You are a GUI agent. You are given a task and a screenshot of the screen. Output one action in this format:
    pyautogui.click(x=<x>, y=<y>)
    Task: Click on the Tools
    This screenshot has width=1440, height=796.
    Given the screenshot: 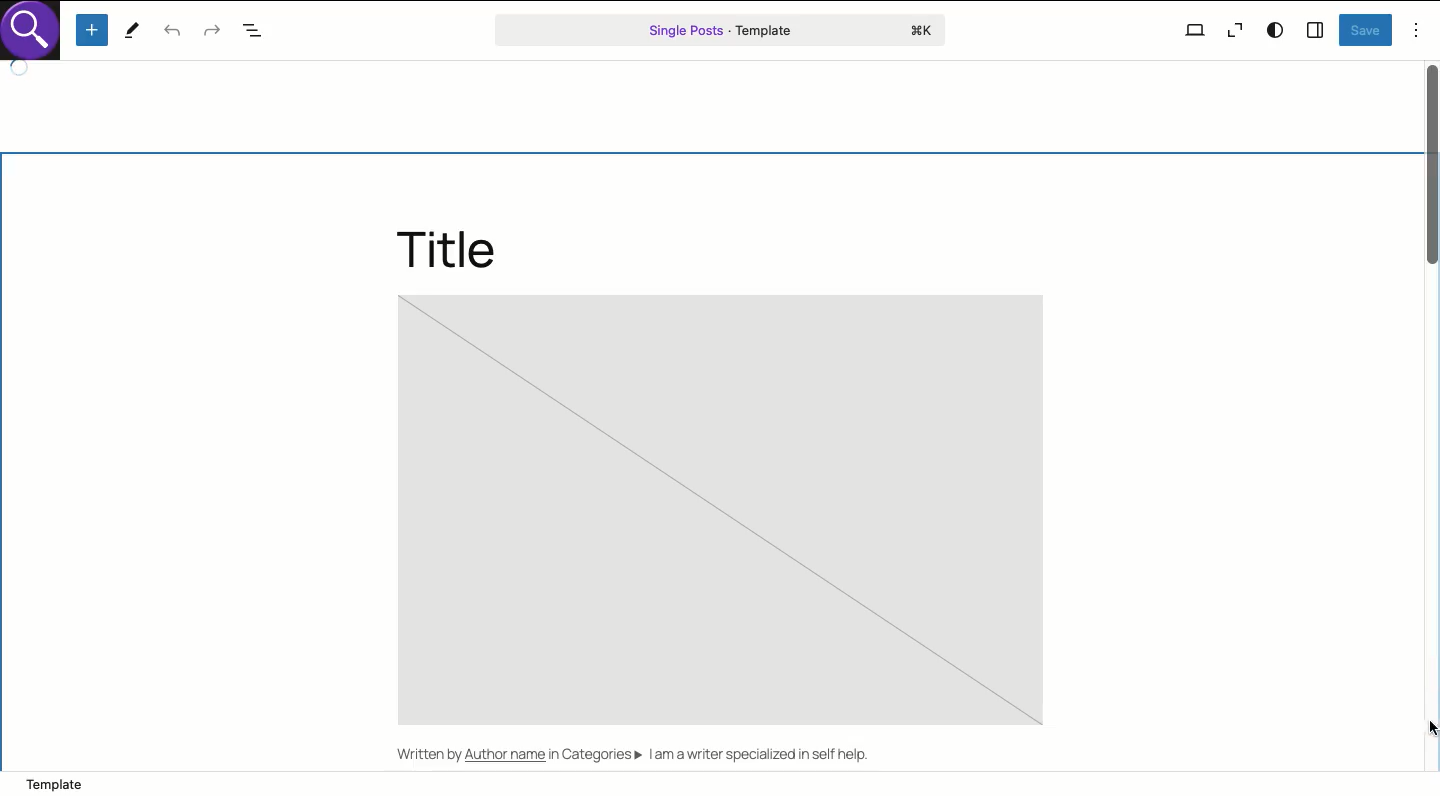 What is the action you would take?
    pyautogui.click(x=132, y=32)
    